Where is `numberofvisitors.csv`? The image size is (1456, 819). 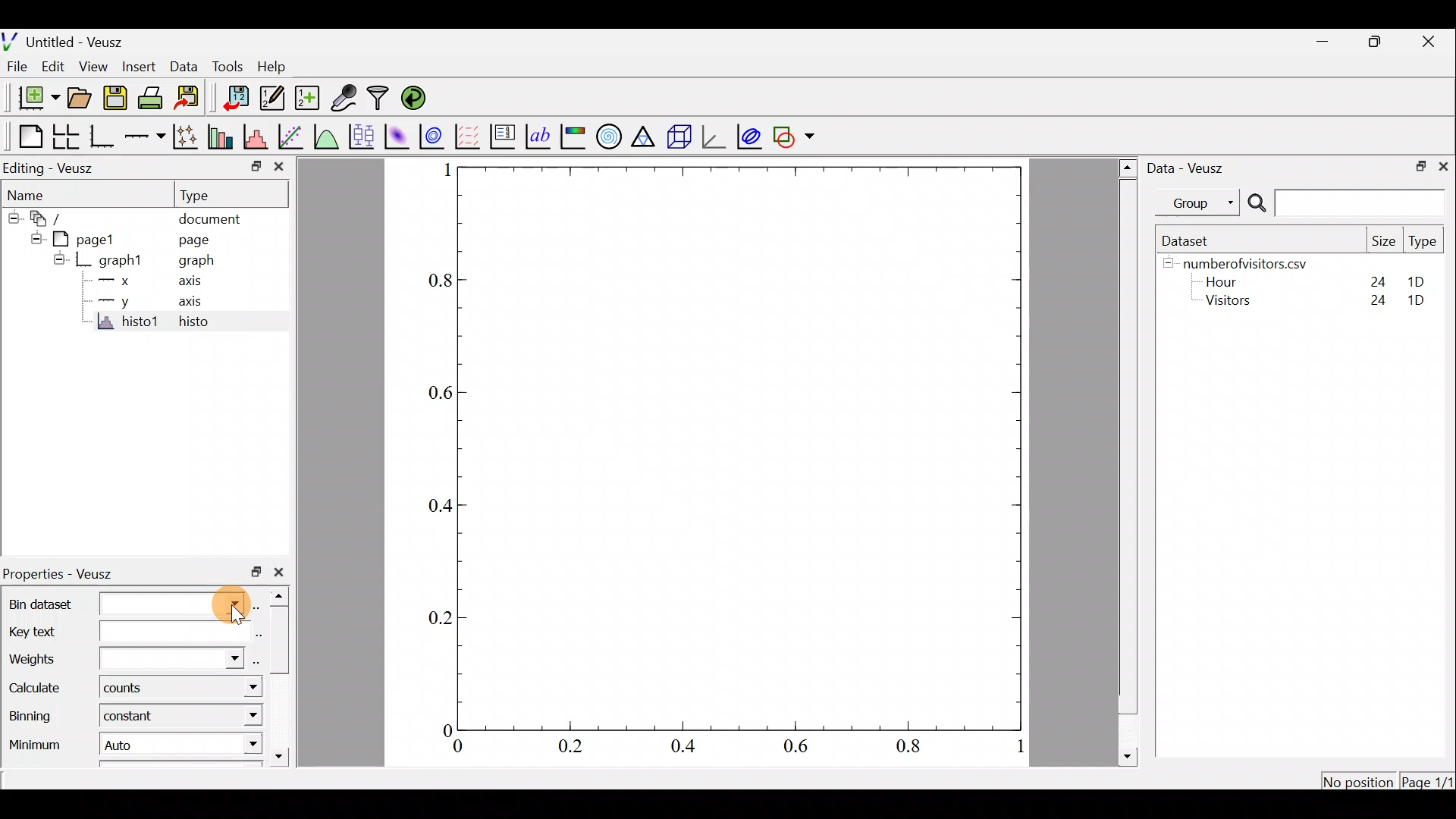
numberofvisitors.csv is located at coordinates (1254, 261).